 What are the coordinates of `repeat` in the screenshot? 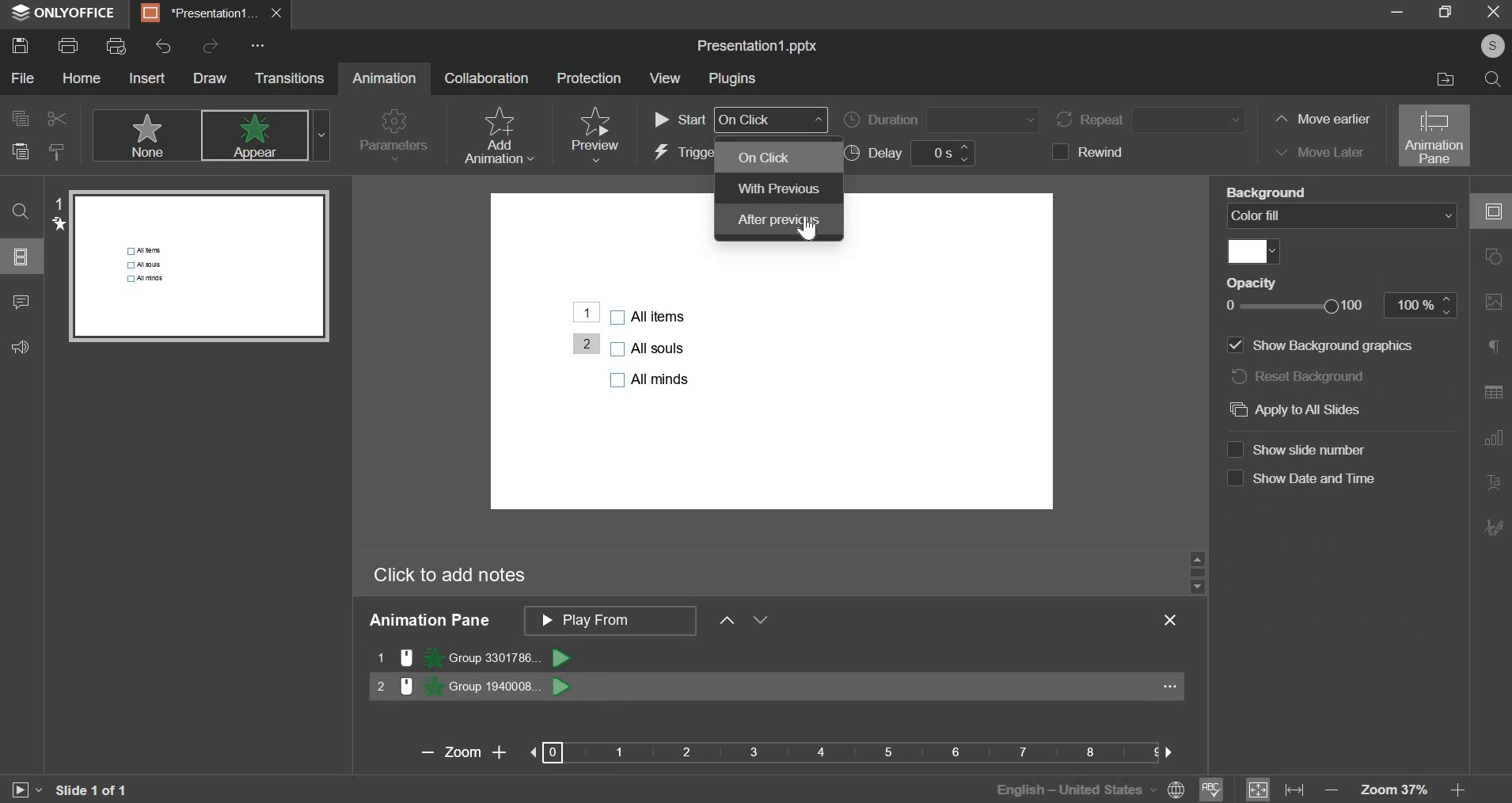 It's located at (1153, 120).